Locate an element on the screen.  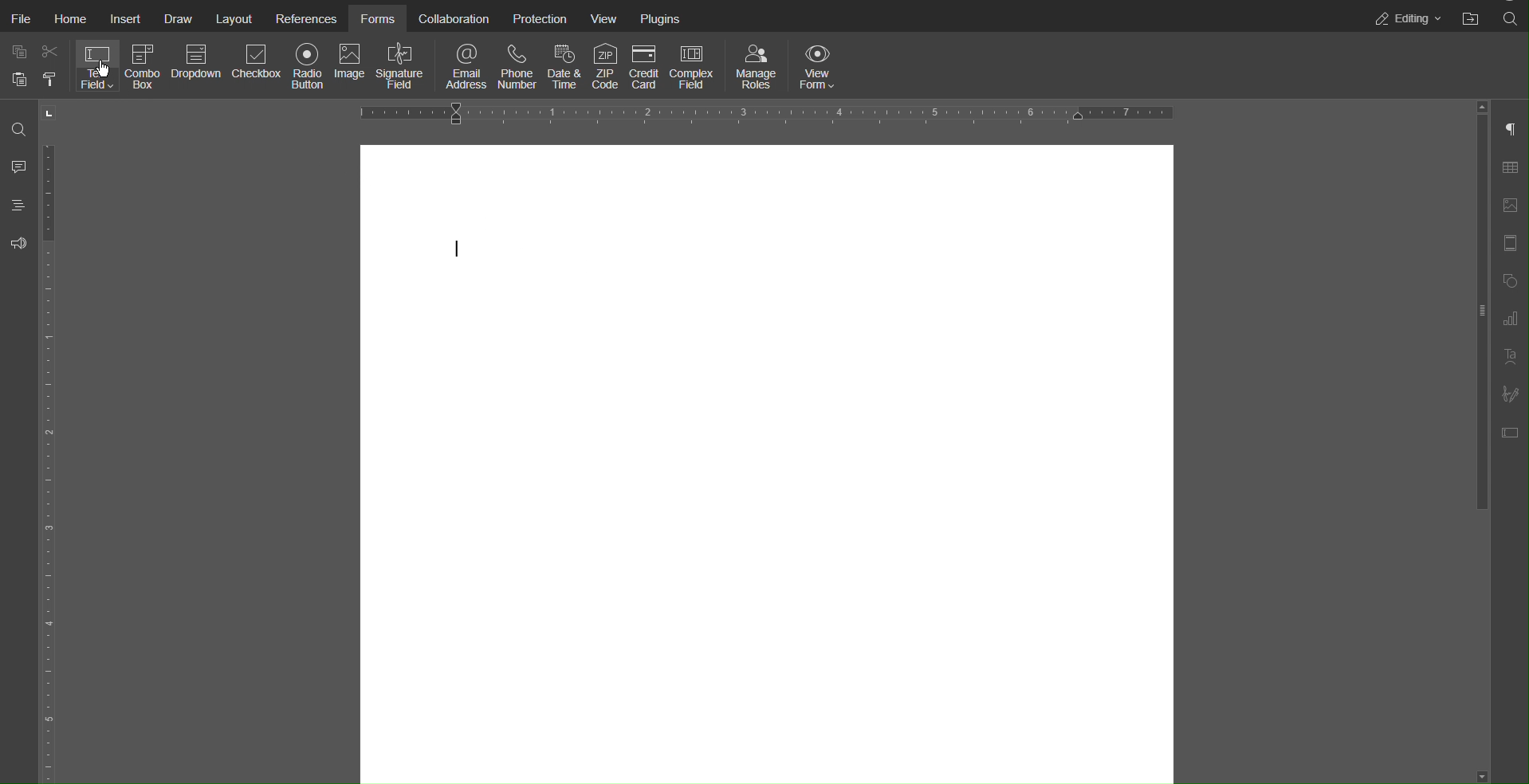
Collaboration is located at coordinates (454, 20).